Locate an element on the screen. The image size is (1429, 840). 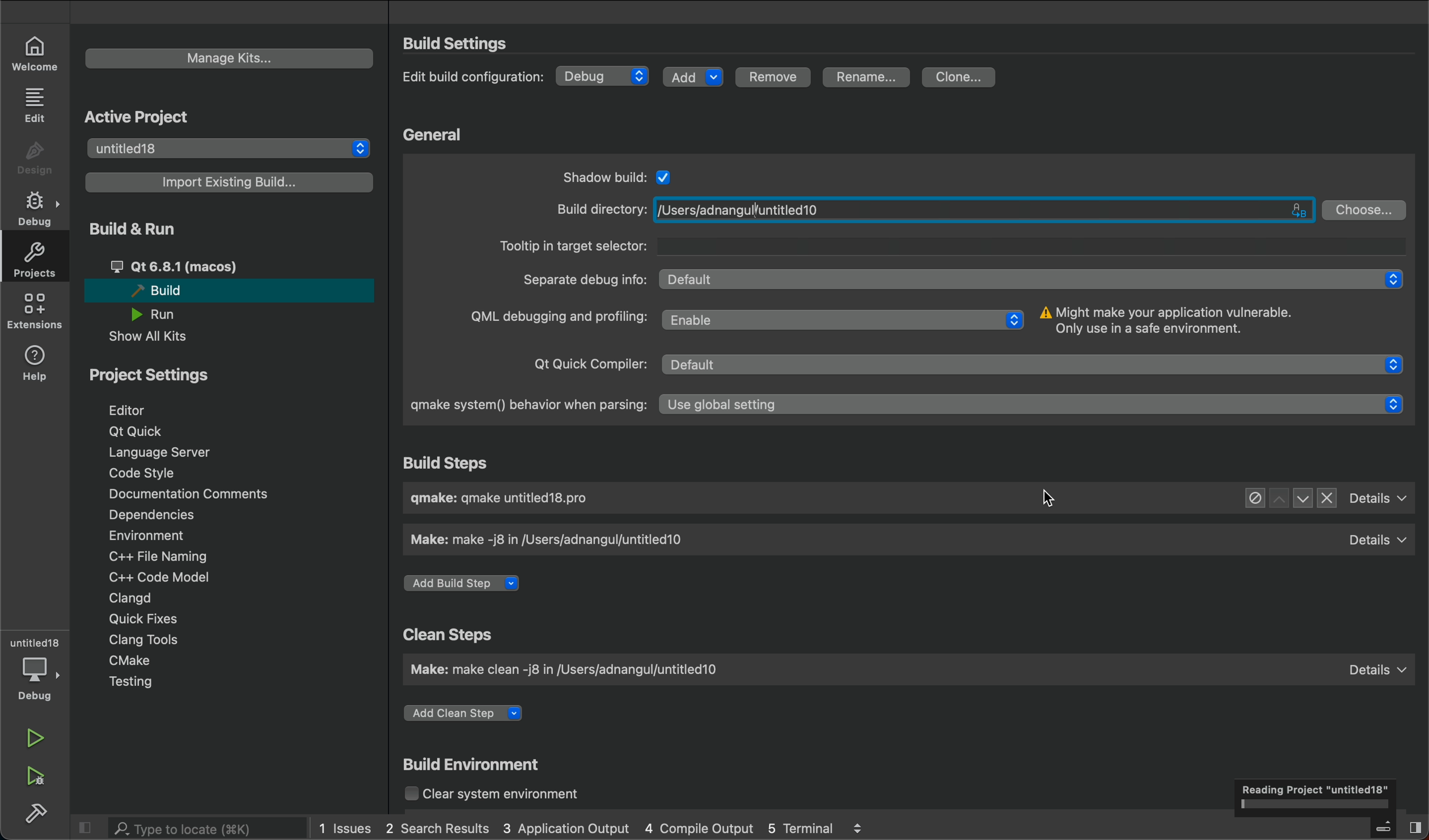
debug is located at coordinates (39, 210).